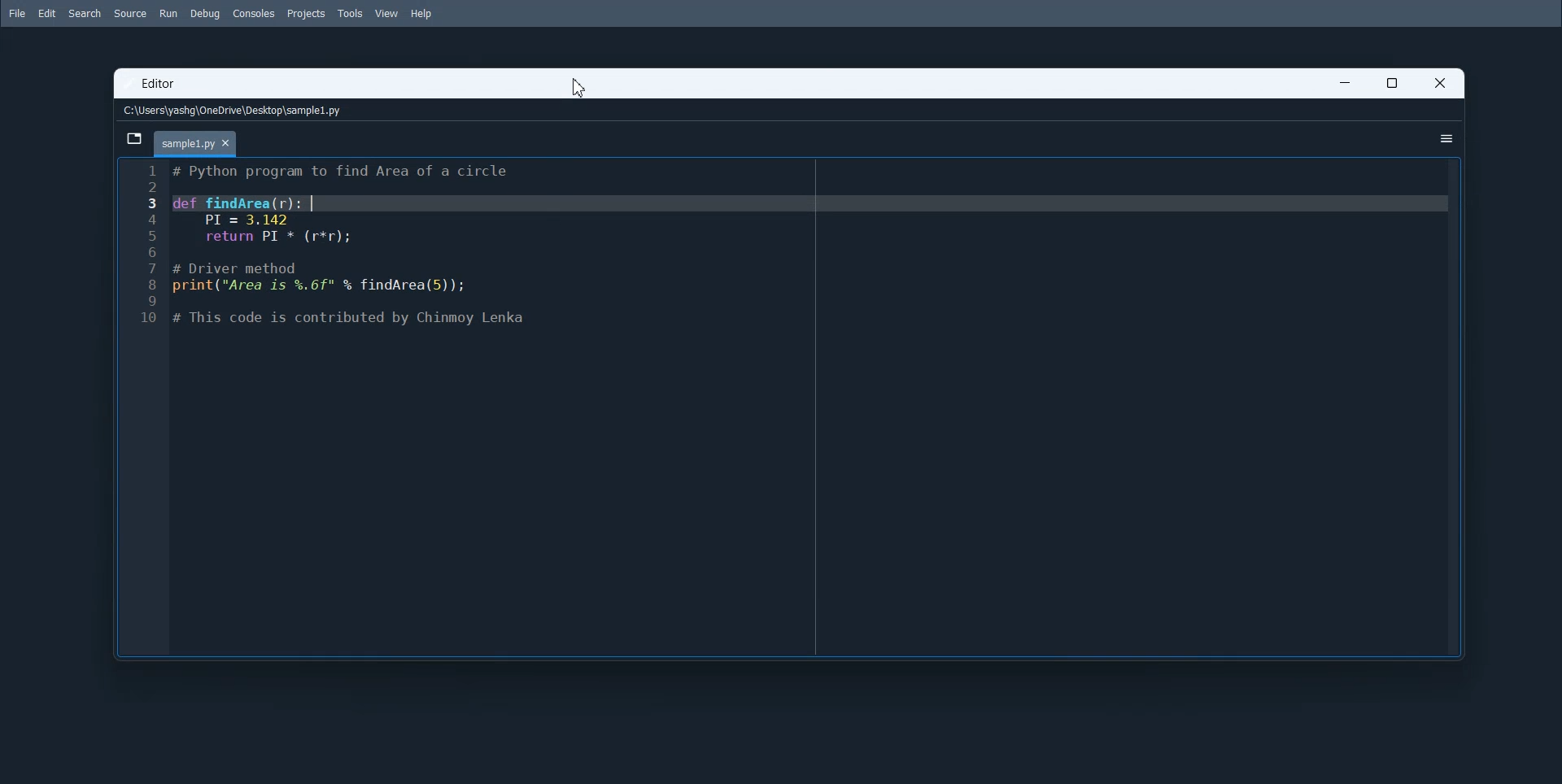 Image resolution: width=1562 pixels, height=784 pixels. Describe the element at coordinates (144, 407) in the screenshot. I see `Line number` at that location.